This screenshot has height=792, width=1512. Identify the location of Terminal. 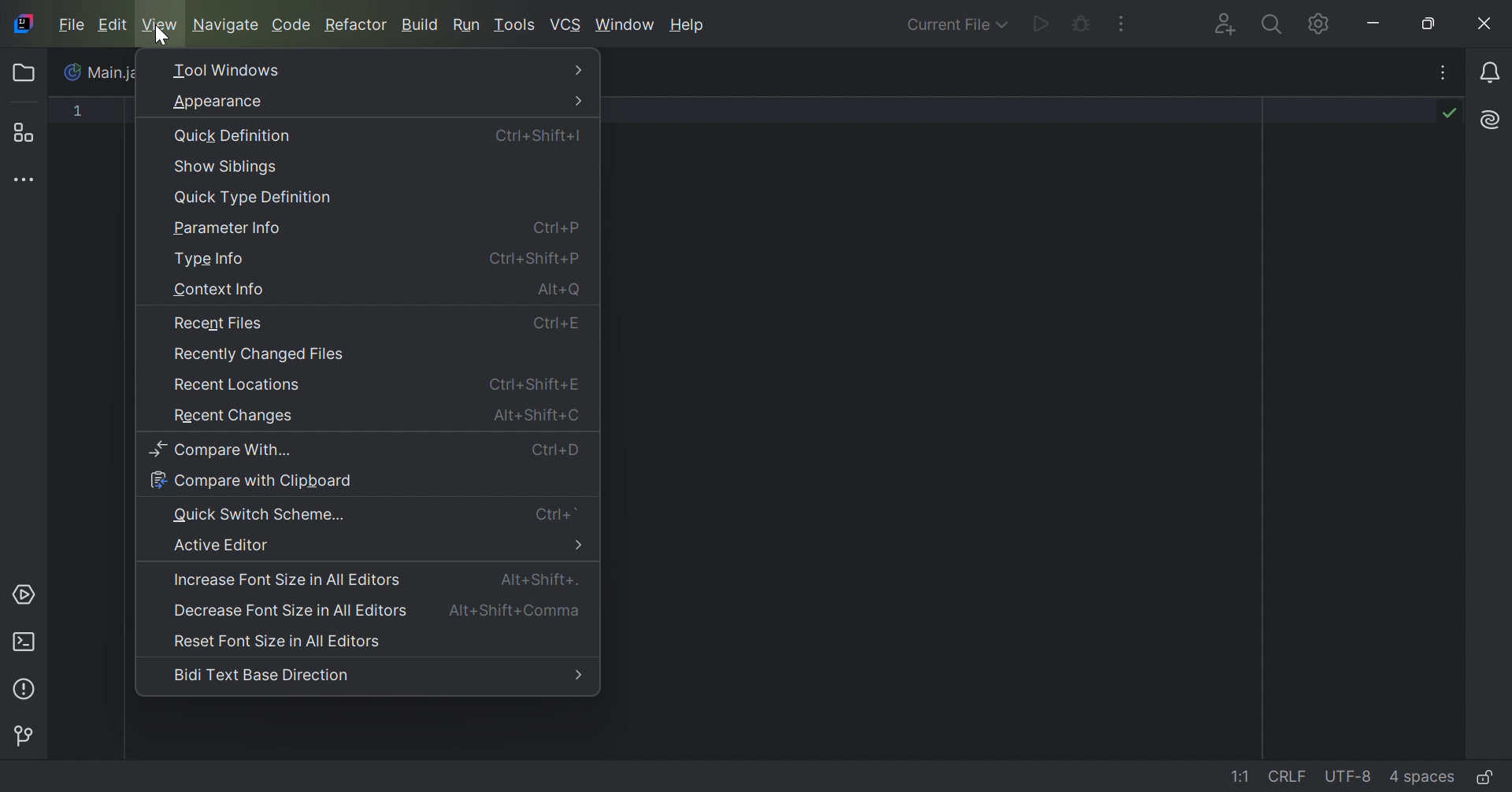
(24, 639).